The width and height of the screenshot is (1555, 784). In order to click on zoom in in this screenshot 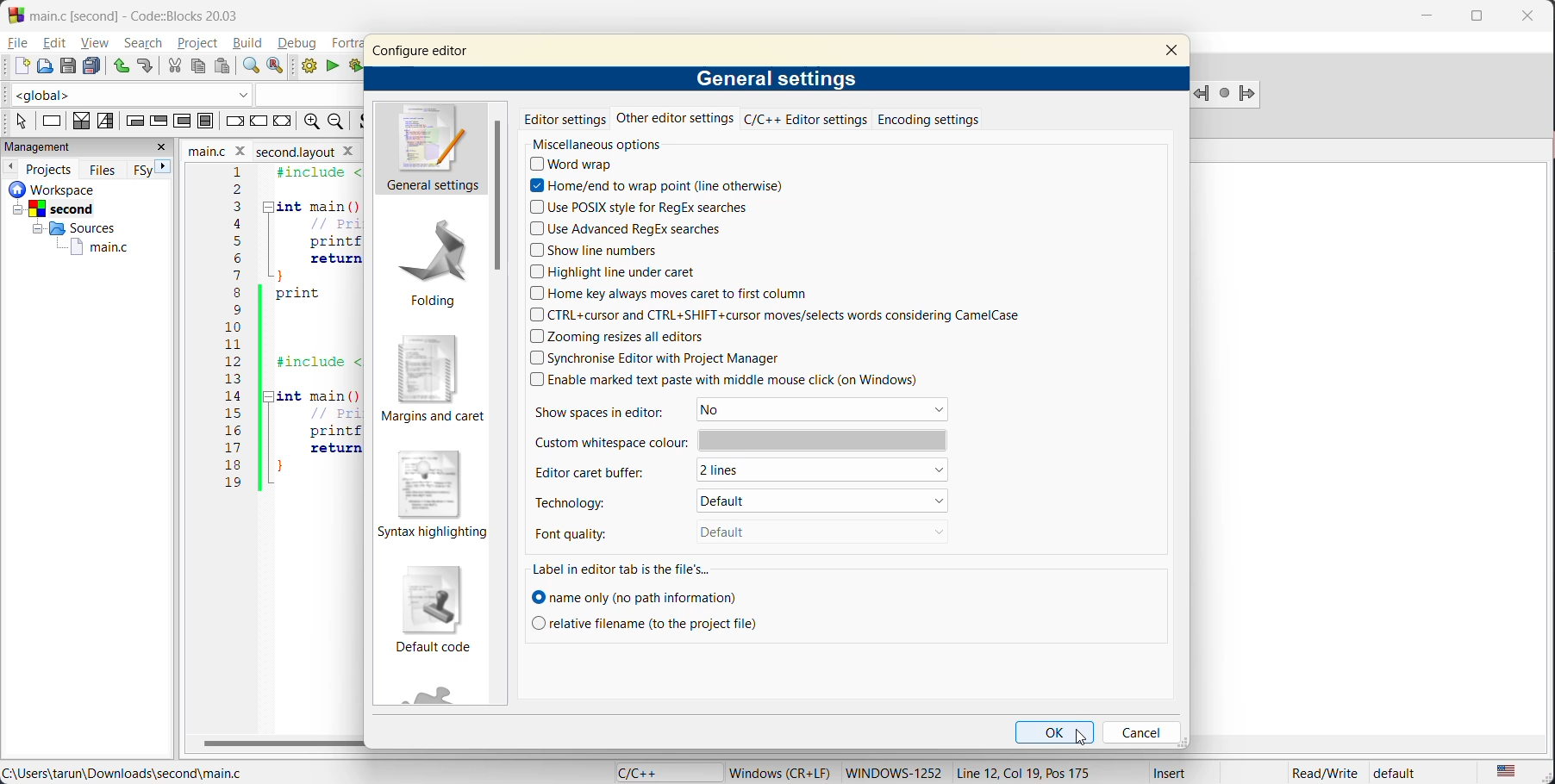, I will do `click(311, 122)`.